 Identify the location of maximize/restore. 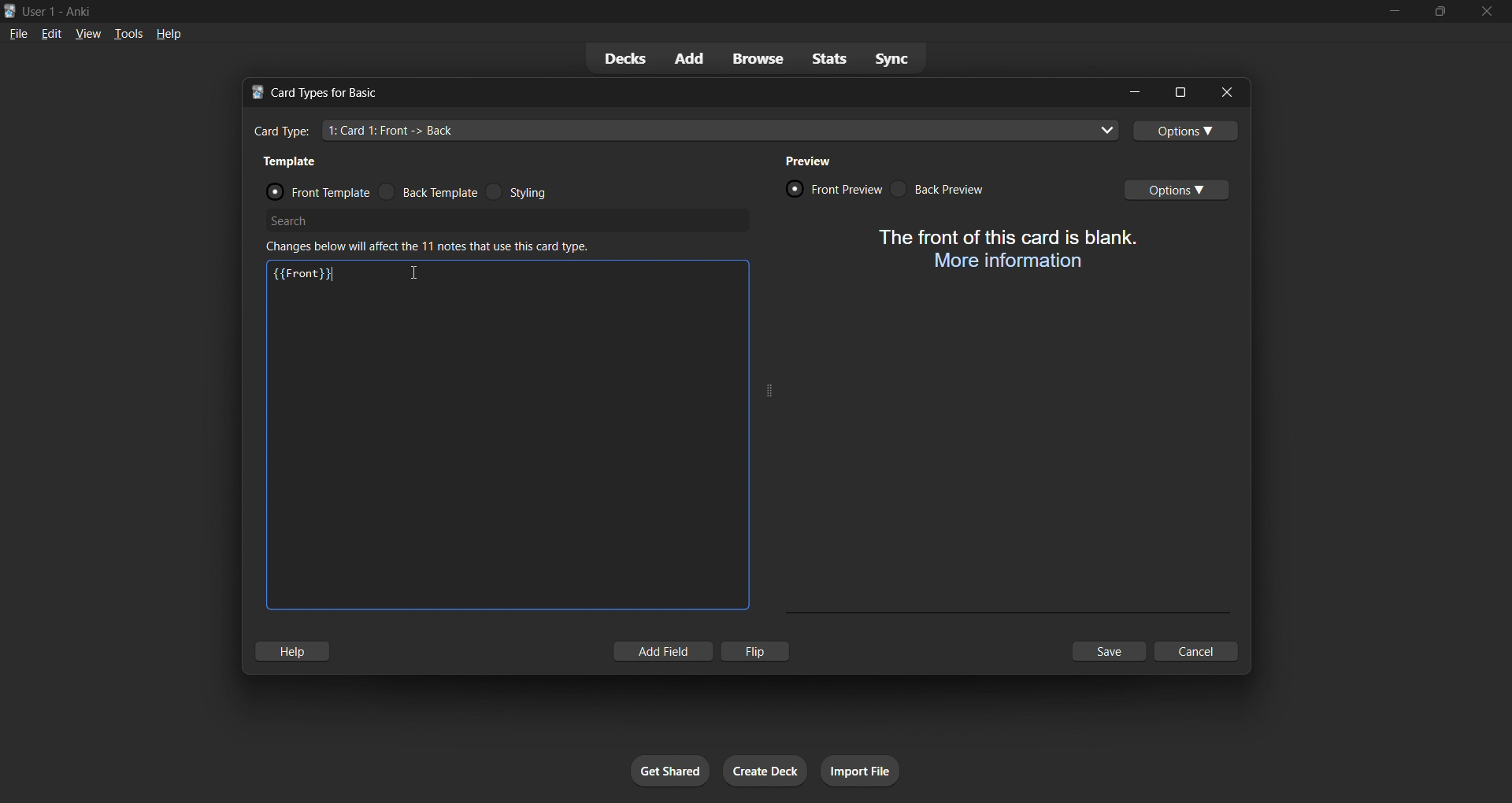
(1438, 10).